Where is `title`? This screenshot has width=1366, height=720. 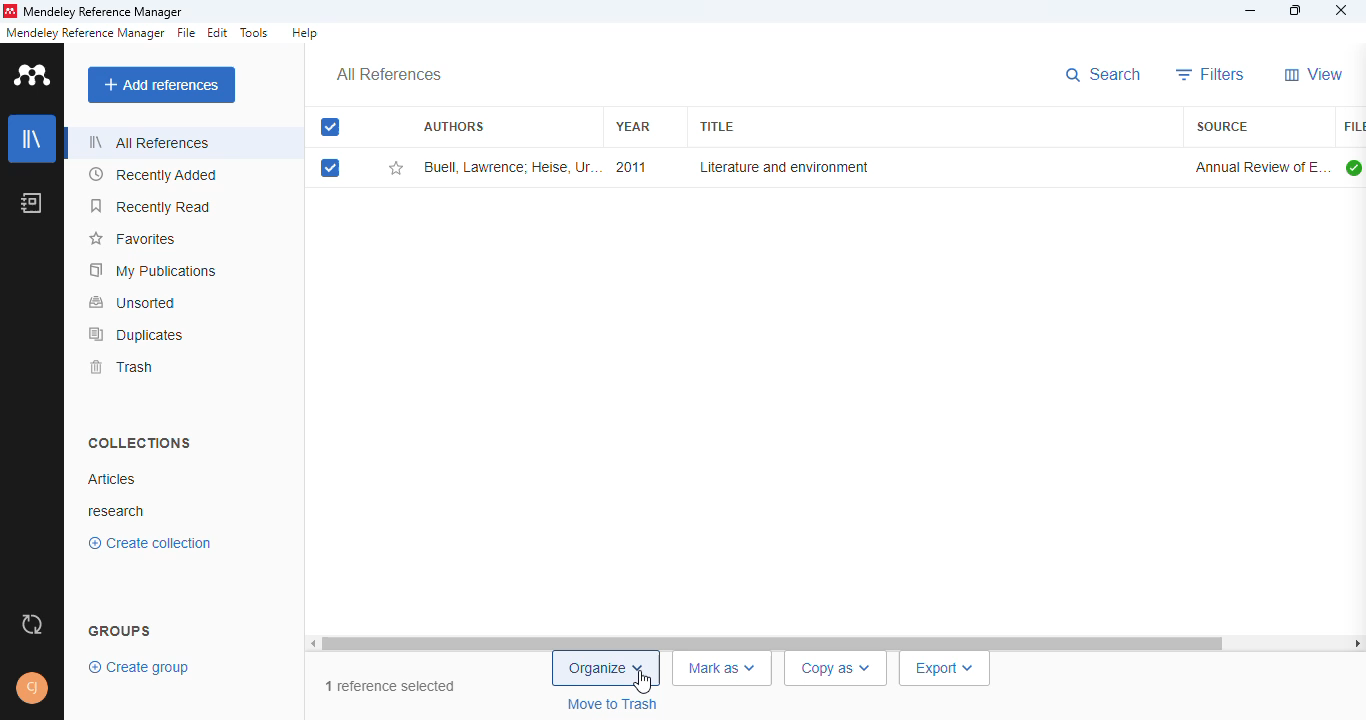
title is located at coordinates (715, 127).